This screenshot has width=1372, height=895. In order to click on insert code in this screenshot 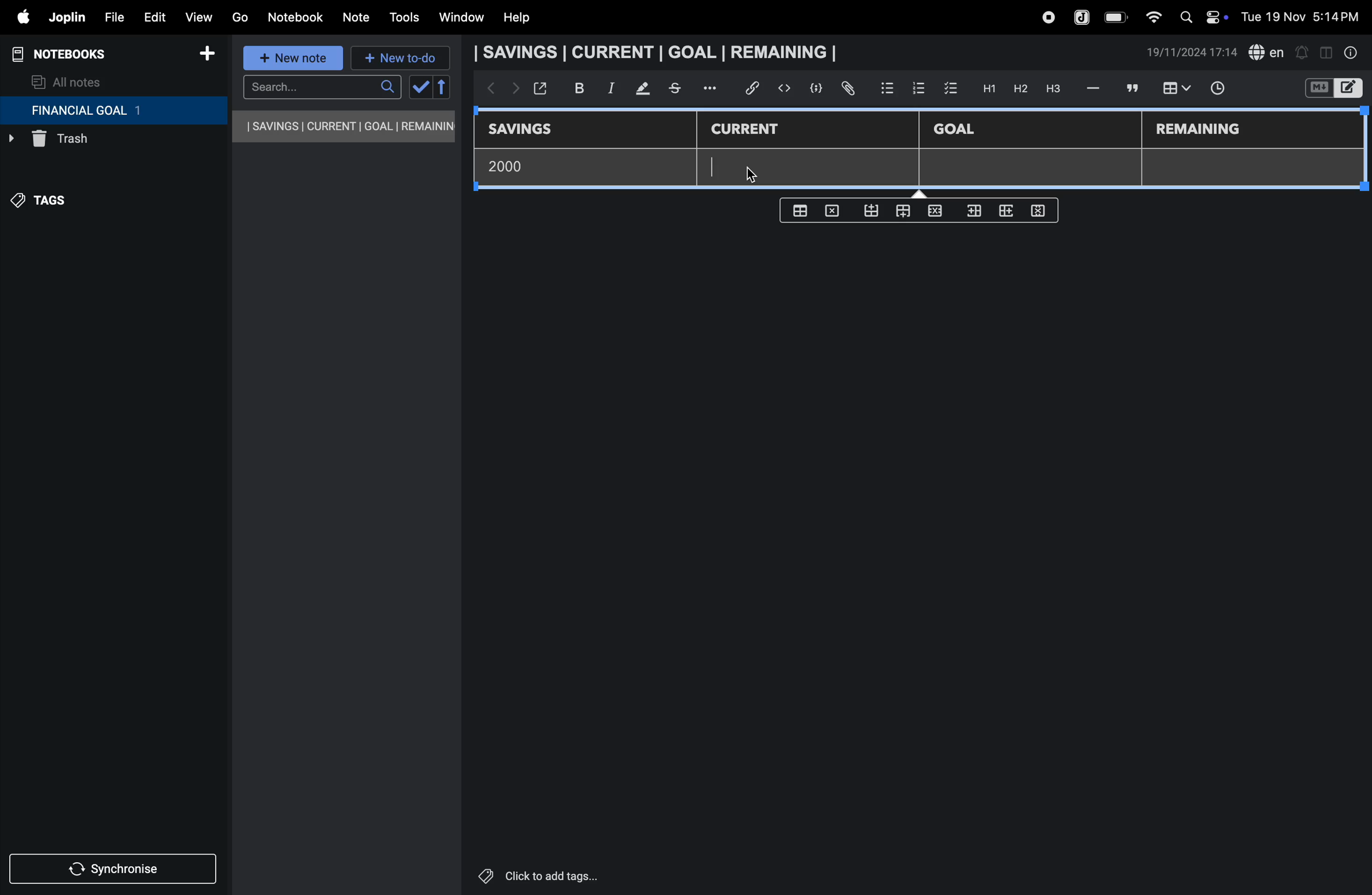, I will do `click(785, 88)`.